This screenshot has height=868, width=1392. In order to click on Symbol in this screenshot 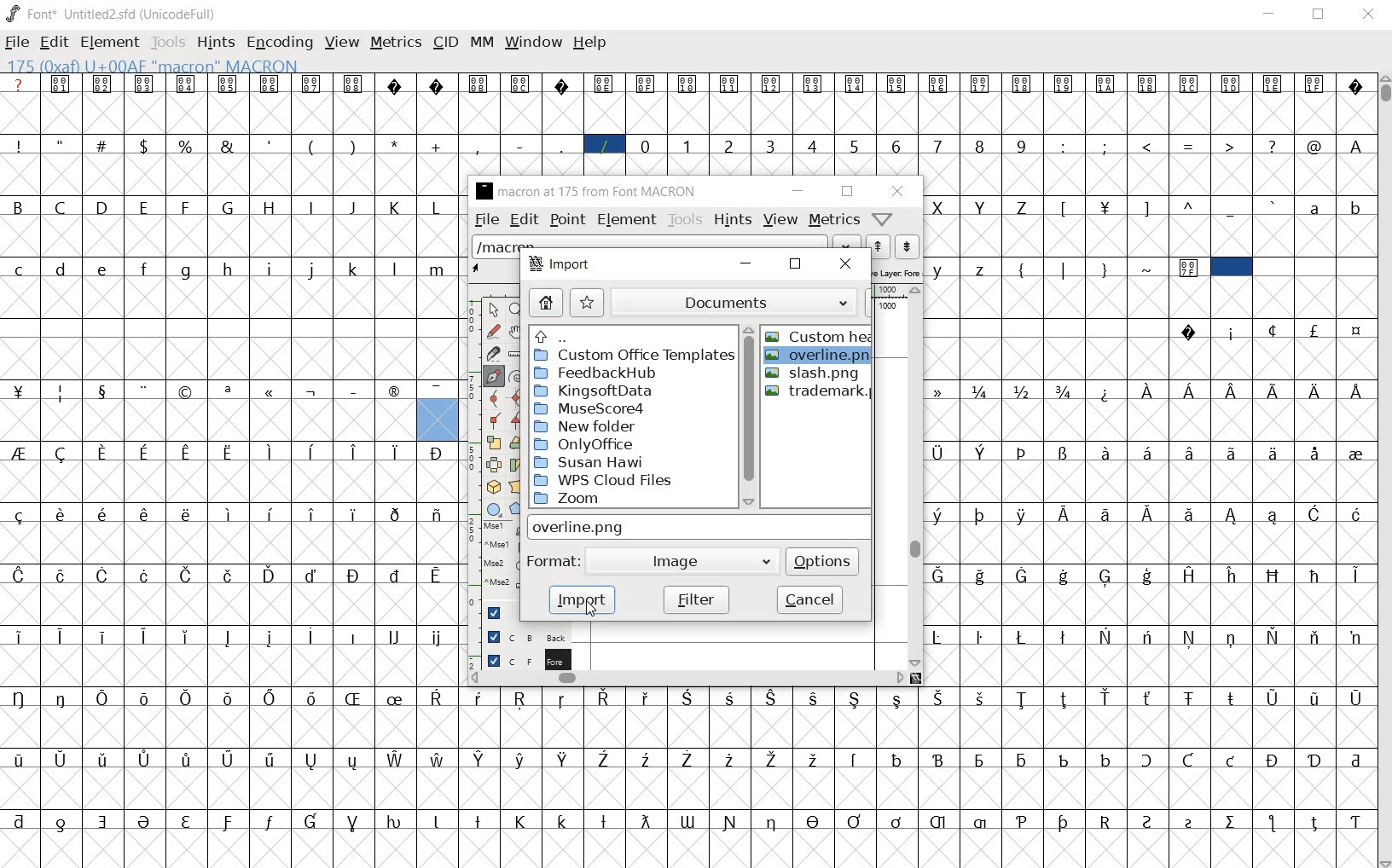, I will do `click(1147, 575)`.